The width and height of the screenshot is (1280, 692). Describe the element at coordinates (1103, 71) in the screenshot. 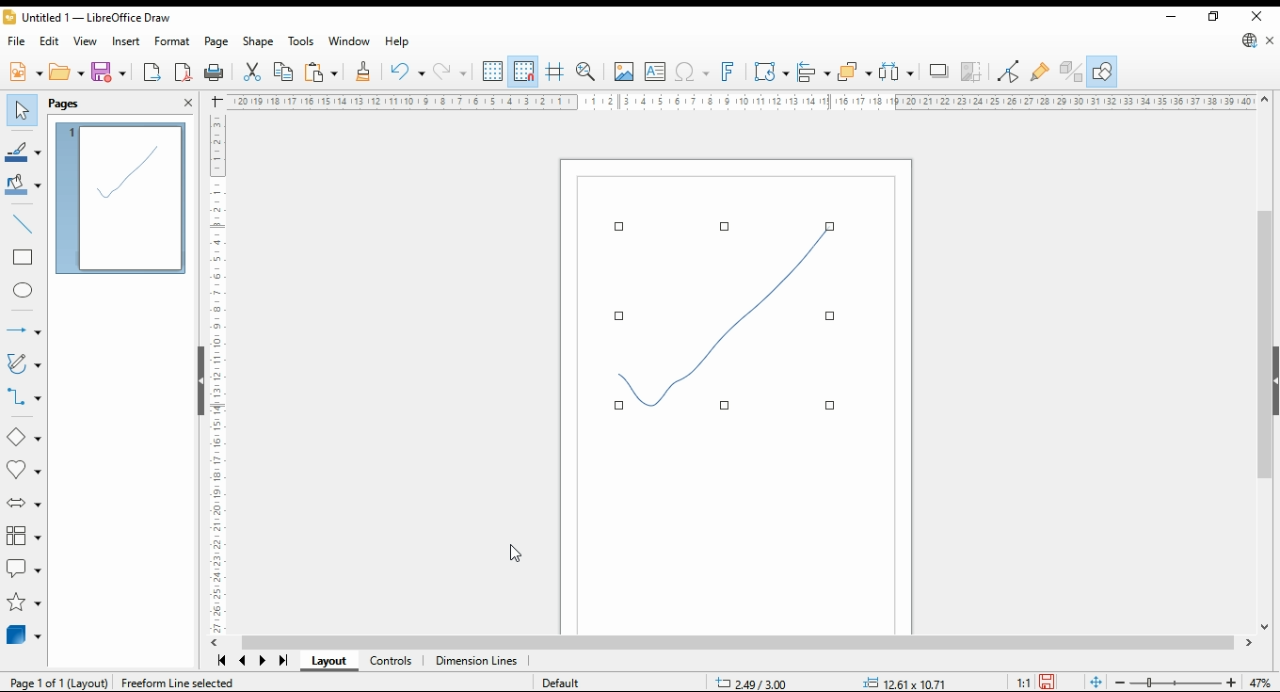

I see `show draw functions` at that location.